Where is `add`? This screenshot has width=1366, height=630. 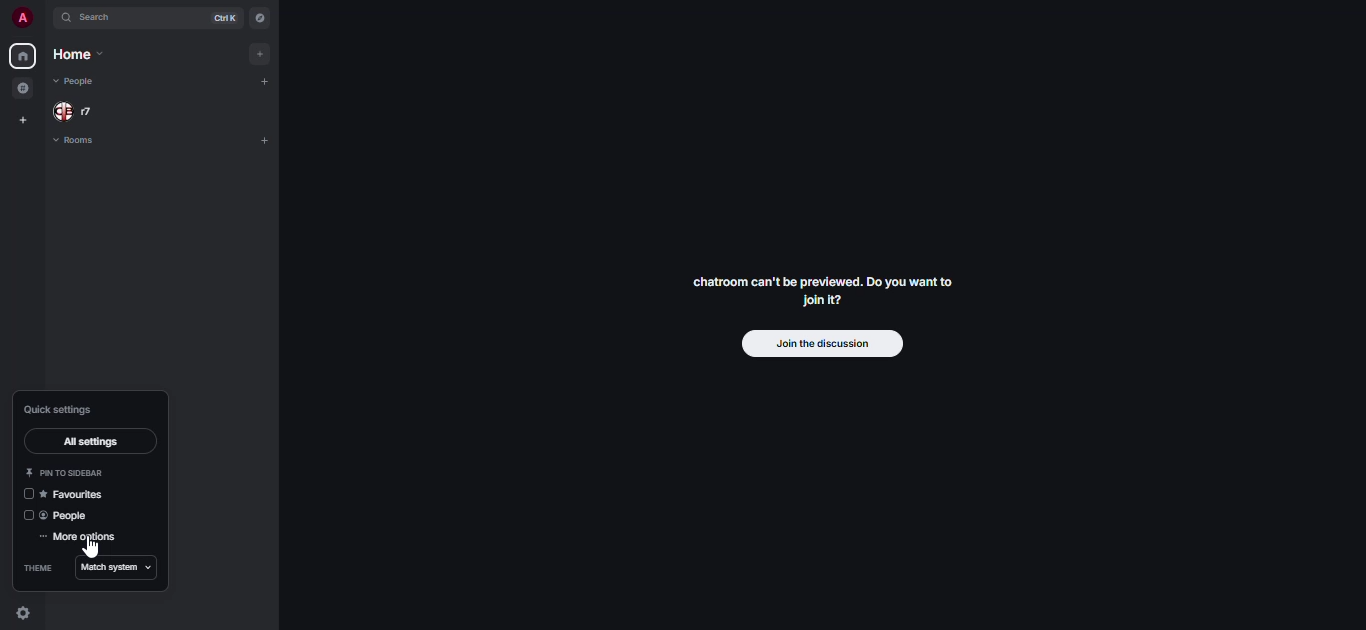
add is located at coordinates (257, 53).